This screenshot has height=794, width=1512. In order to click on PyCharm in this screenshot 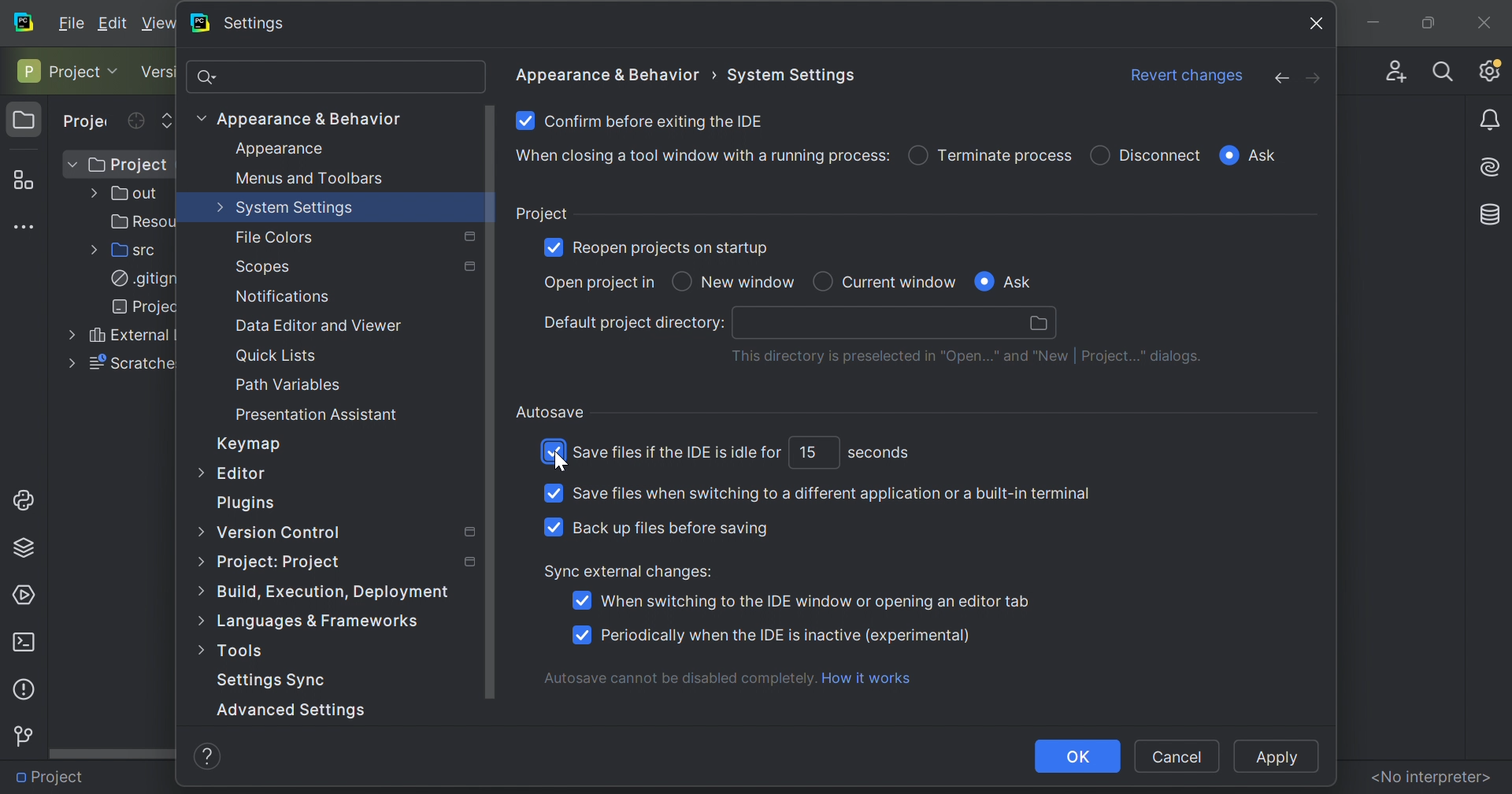, I will do `click(24, 21)`.